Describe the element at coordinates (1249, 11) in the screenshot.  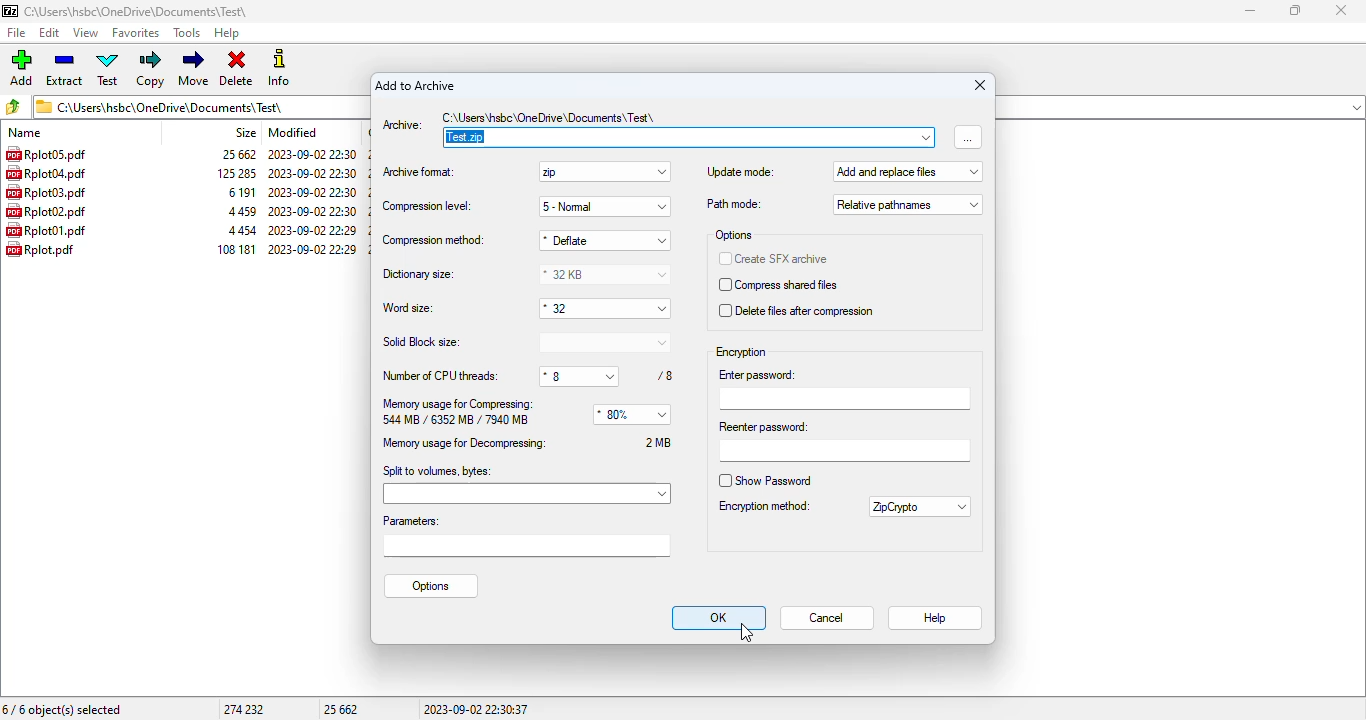
I see `minimize` at that location.